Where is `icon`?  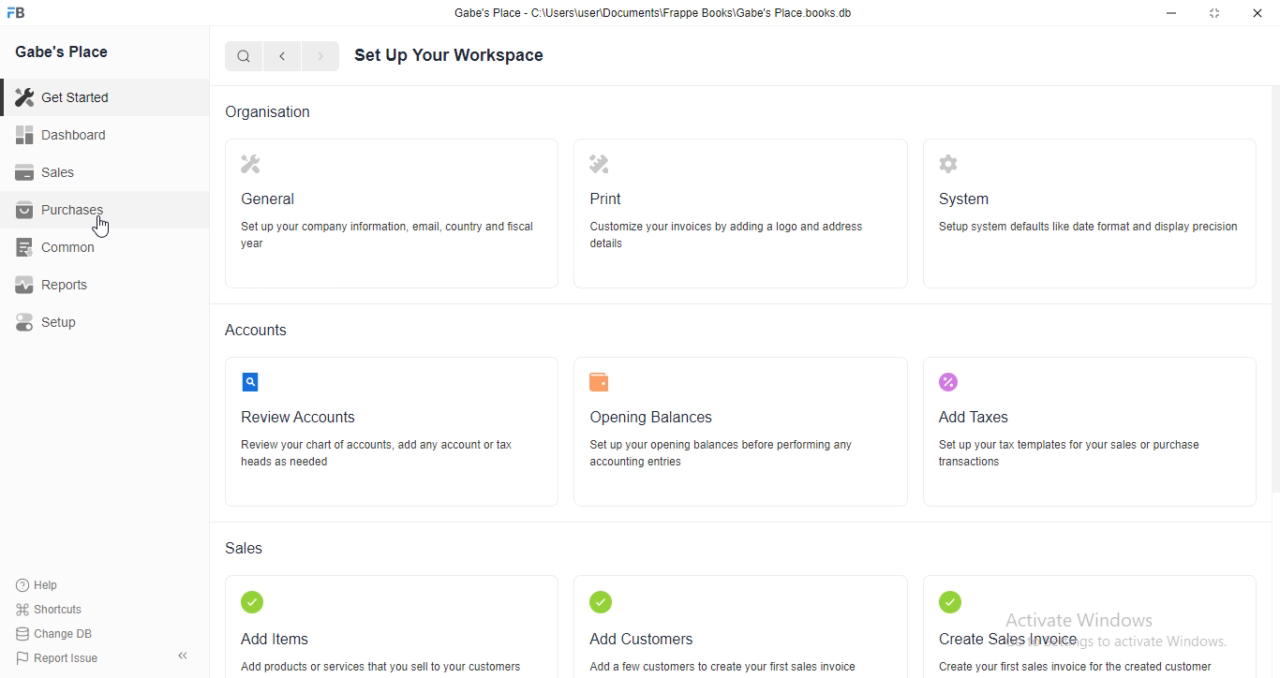
icon is located at coordinates (600, 602).